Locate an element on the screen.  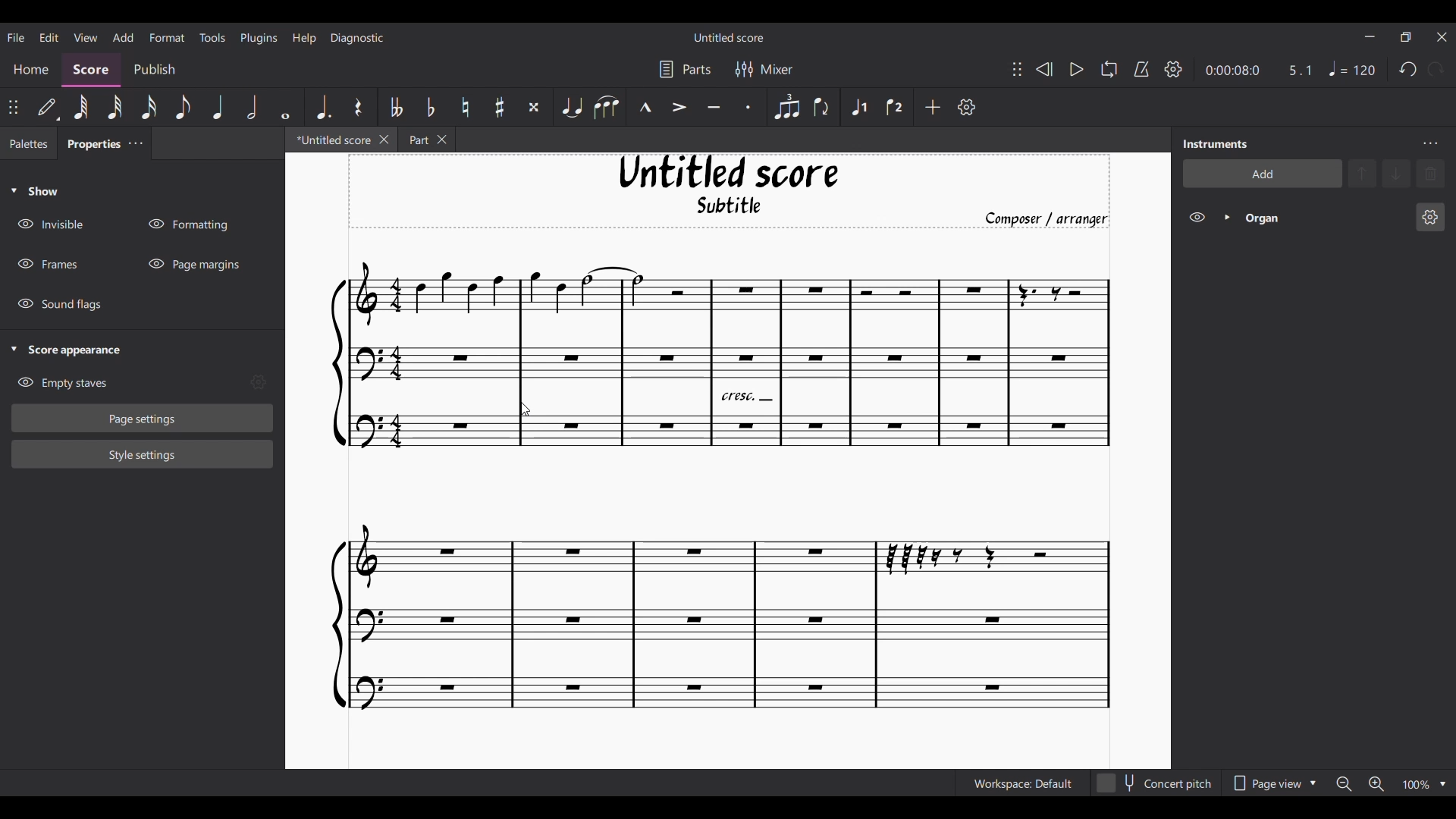
Current workspace setting is located at coordinates (1022, 783).